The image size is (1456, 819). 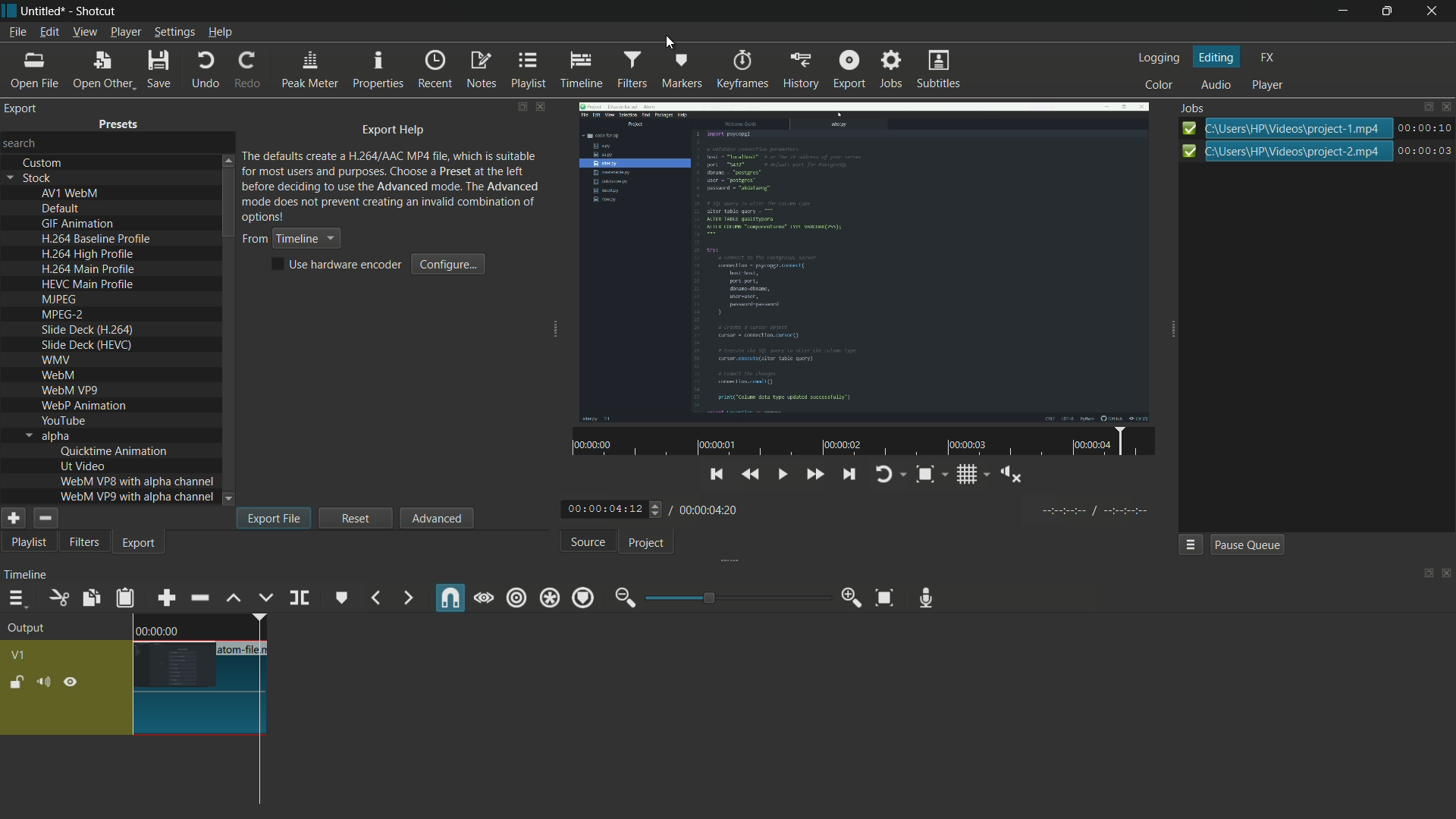 I want to click on j, so click(x=1194, y=109).